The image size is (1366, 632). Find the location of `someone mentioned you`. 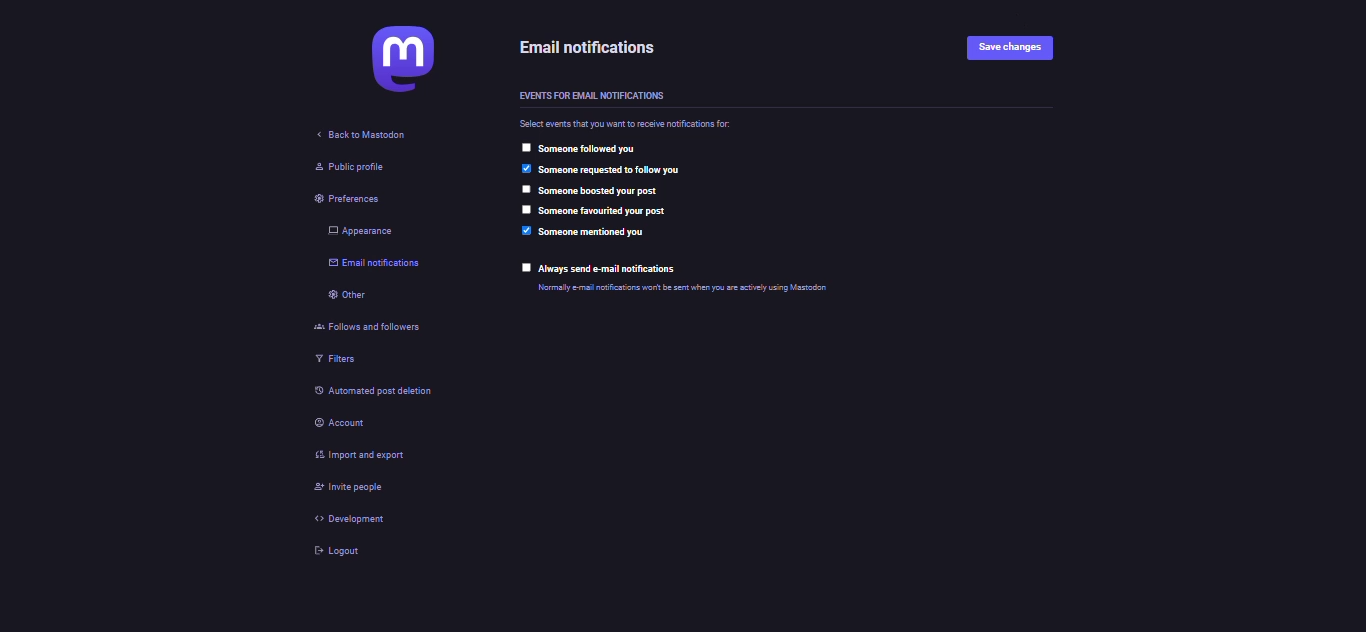

someone mentioned you is located at coordinates (593, 233).